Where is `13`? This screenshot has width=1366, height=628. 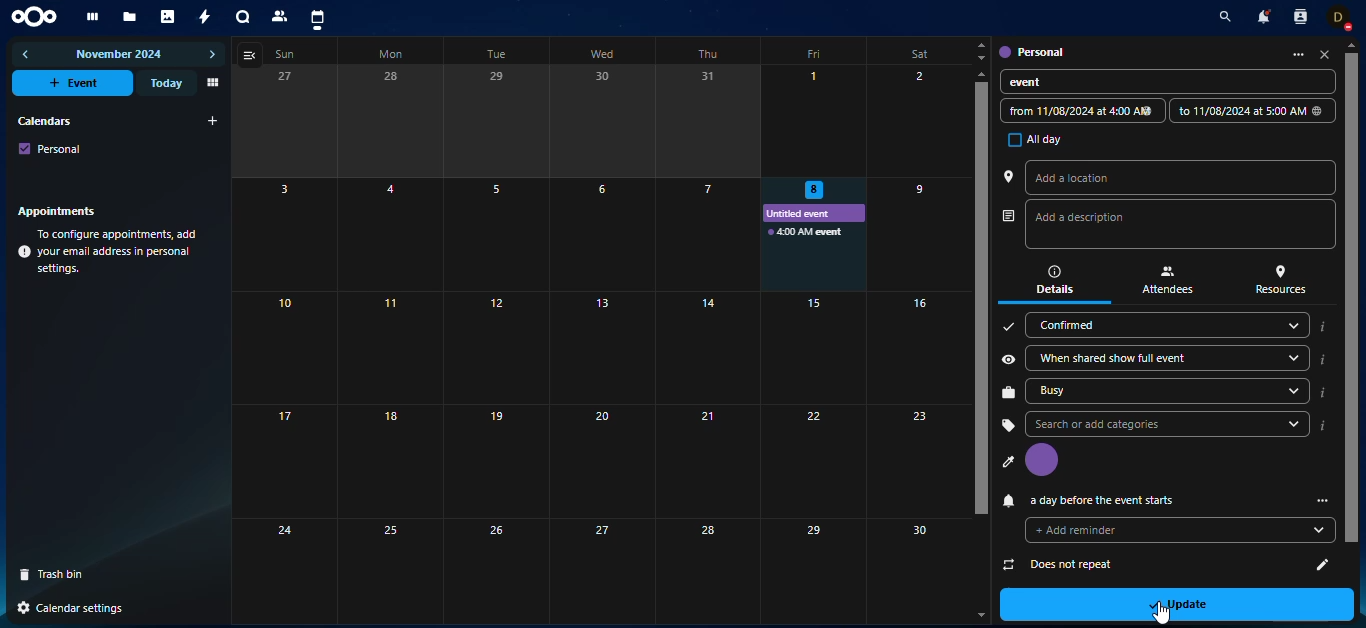
13 is located at coordinates (601, 347).